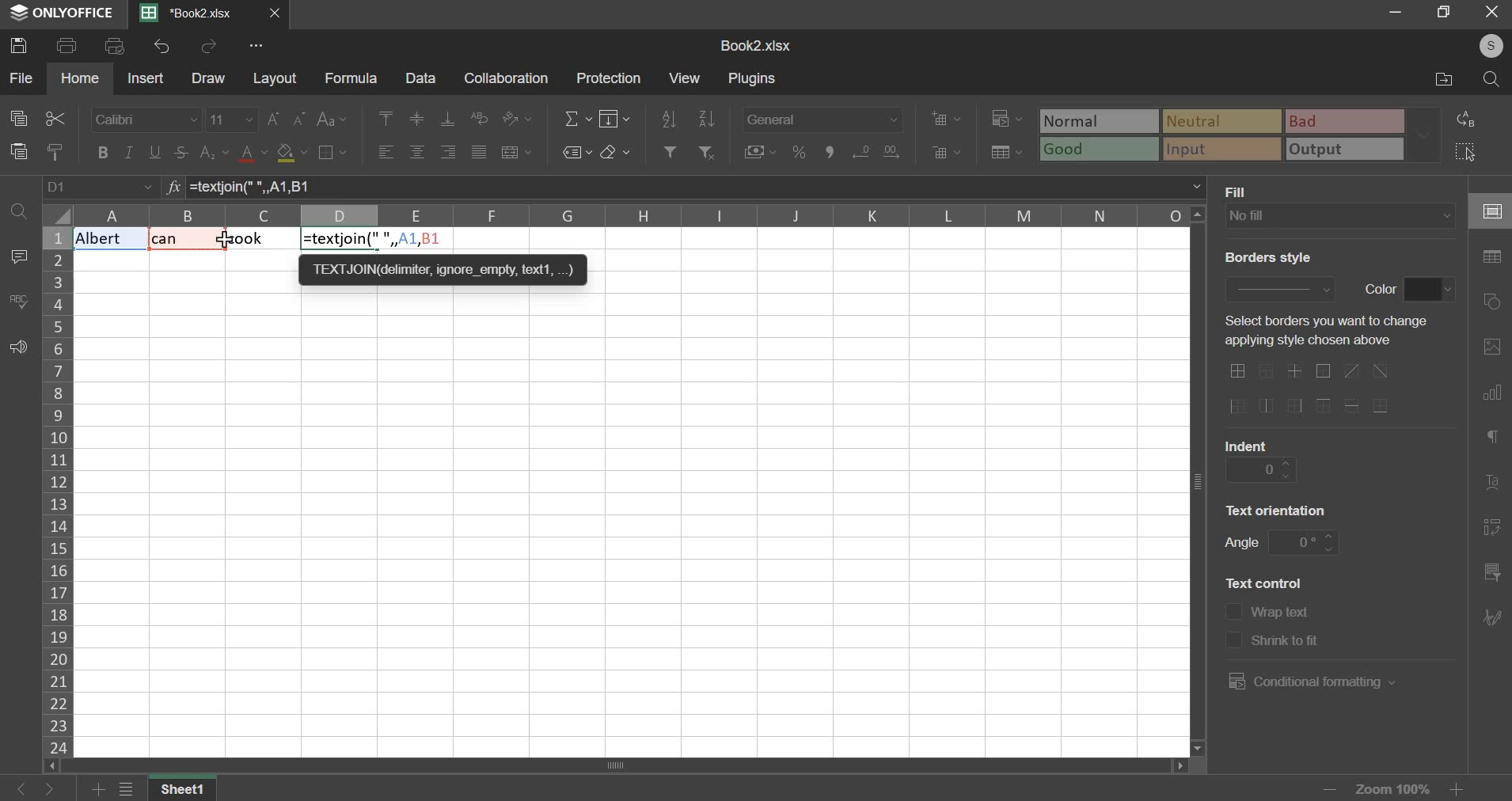 This screenshot has width=1512, height=801. I want to click on table, so click(1492, 257).